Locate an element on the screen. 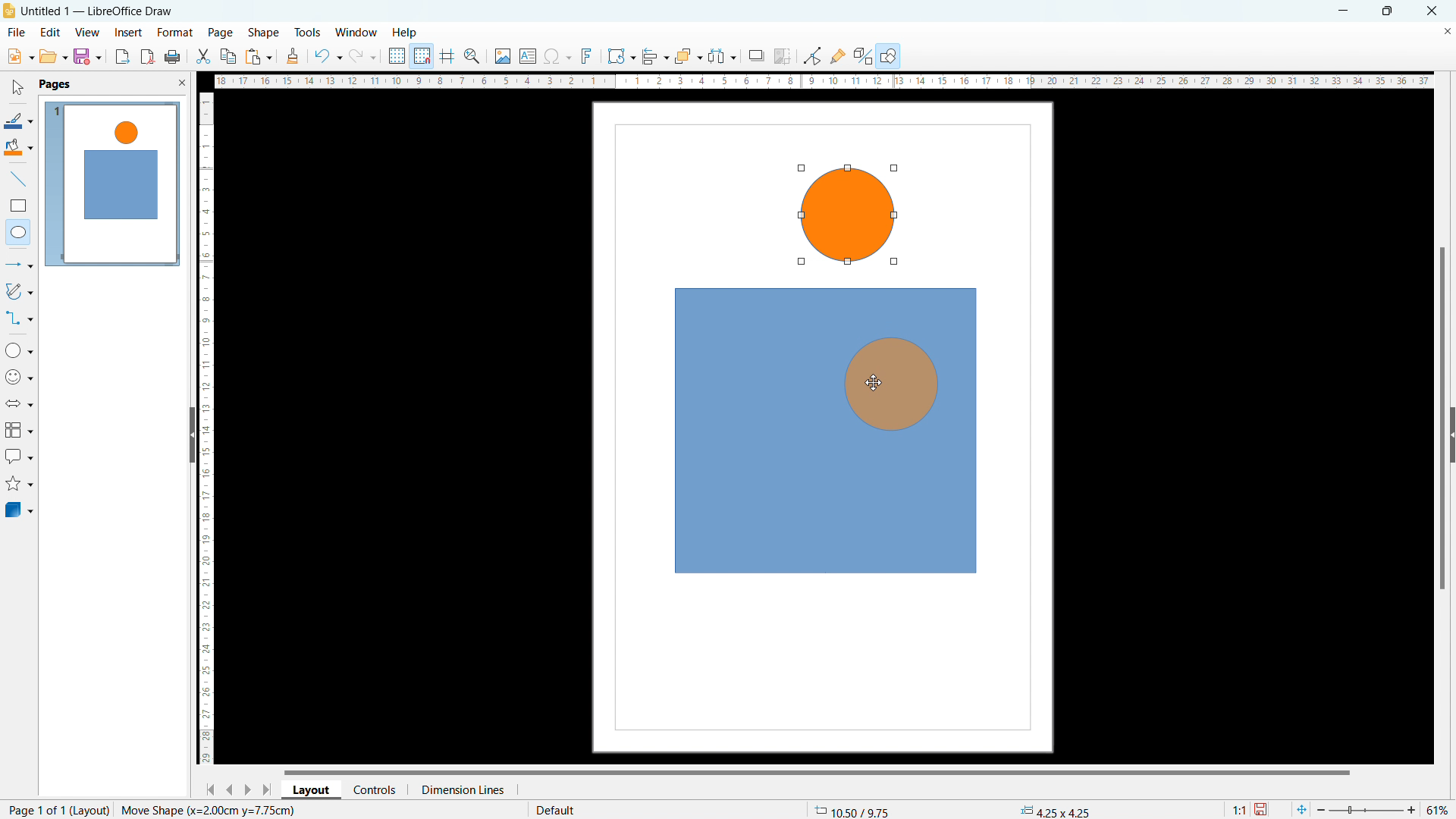  layout is located at coordinates (312, 790).